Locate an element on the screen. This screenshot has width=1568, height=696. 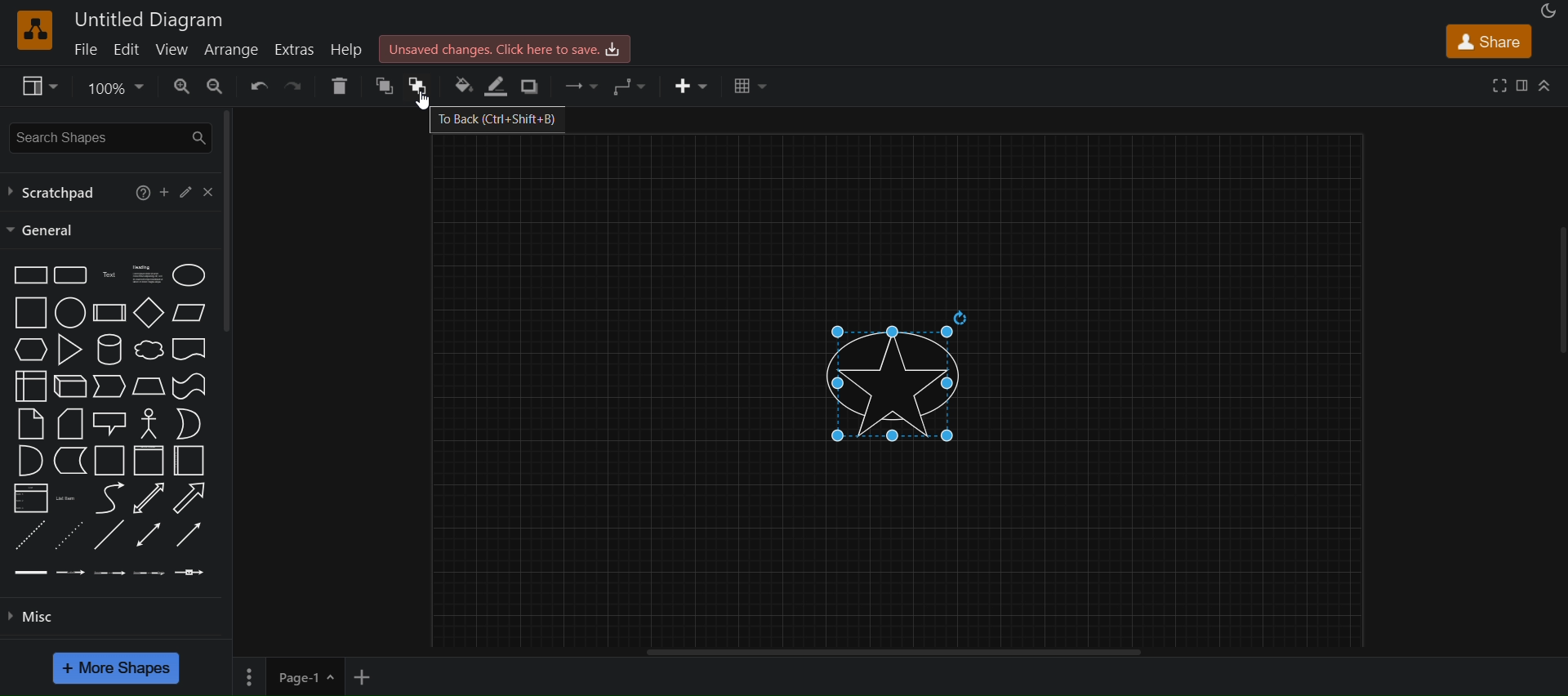
cursor is located at coordinates (419, 104).